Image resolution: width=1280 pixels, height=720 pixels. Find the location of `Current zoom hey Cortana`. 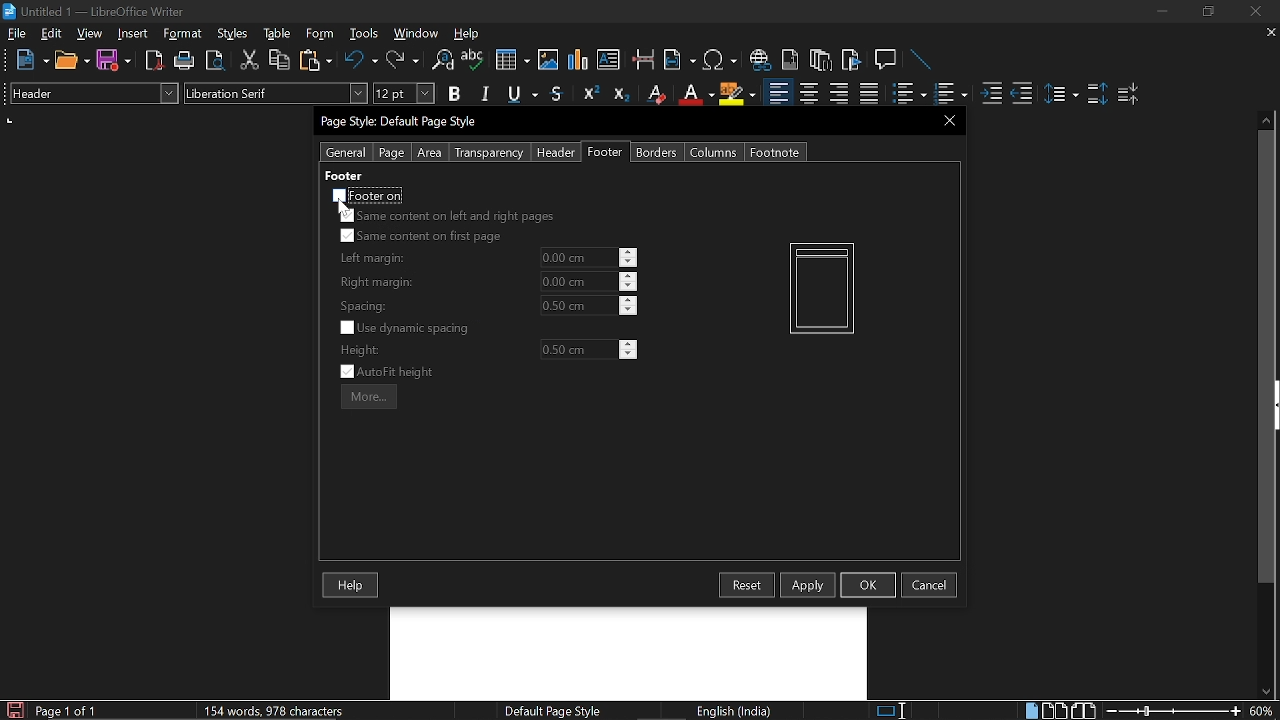

Current zoom hey Cortana is located at coordinates (1261, 710).